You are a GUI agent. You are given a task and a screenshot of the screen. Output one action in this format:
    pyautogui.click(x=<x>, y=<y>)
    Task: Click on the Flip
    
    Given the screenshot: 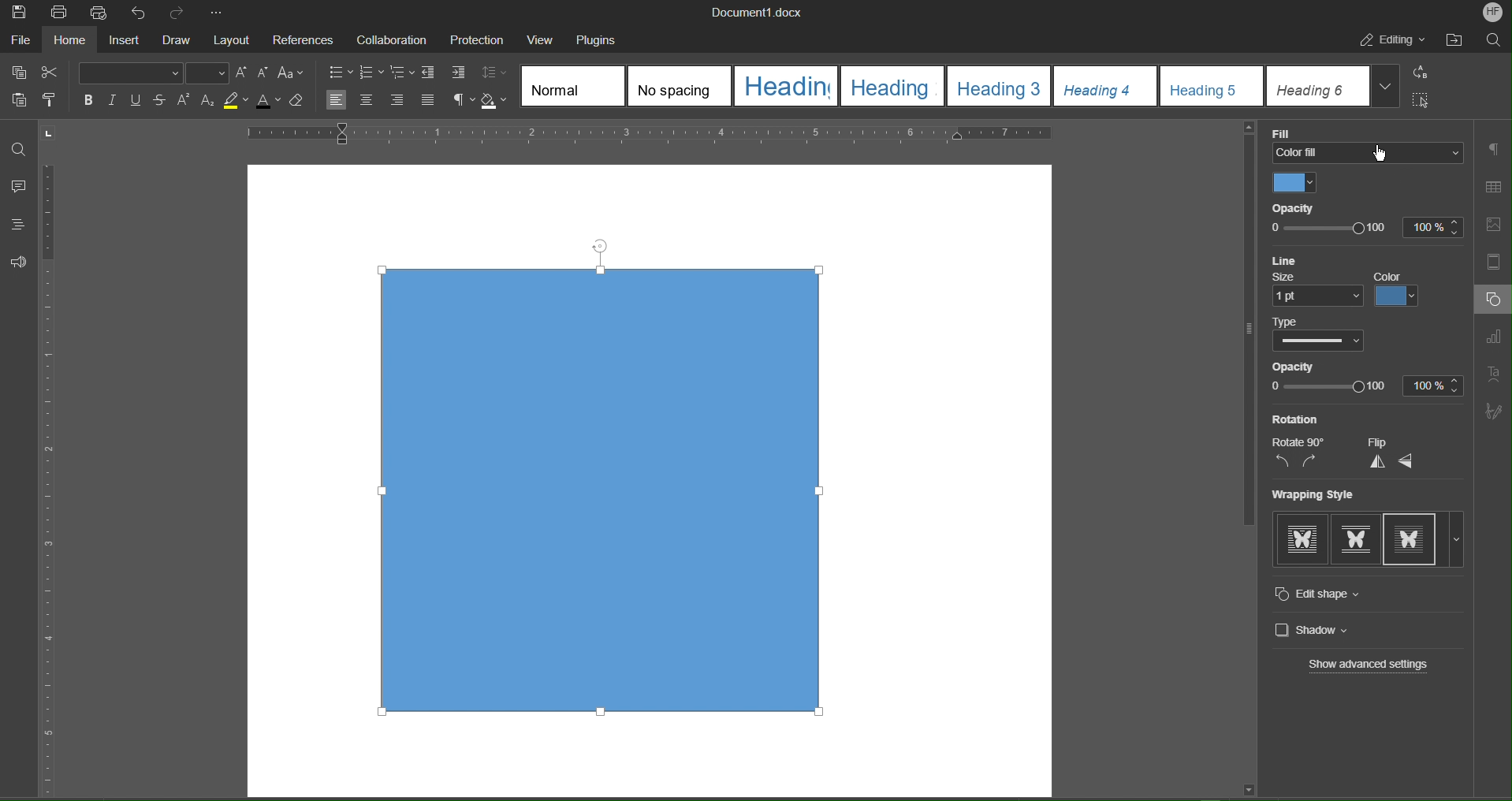 What is the action you would take?
    pyautogui.click(x=1379, y=443)
    